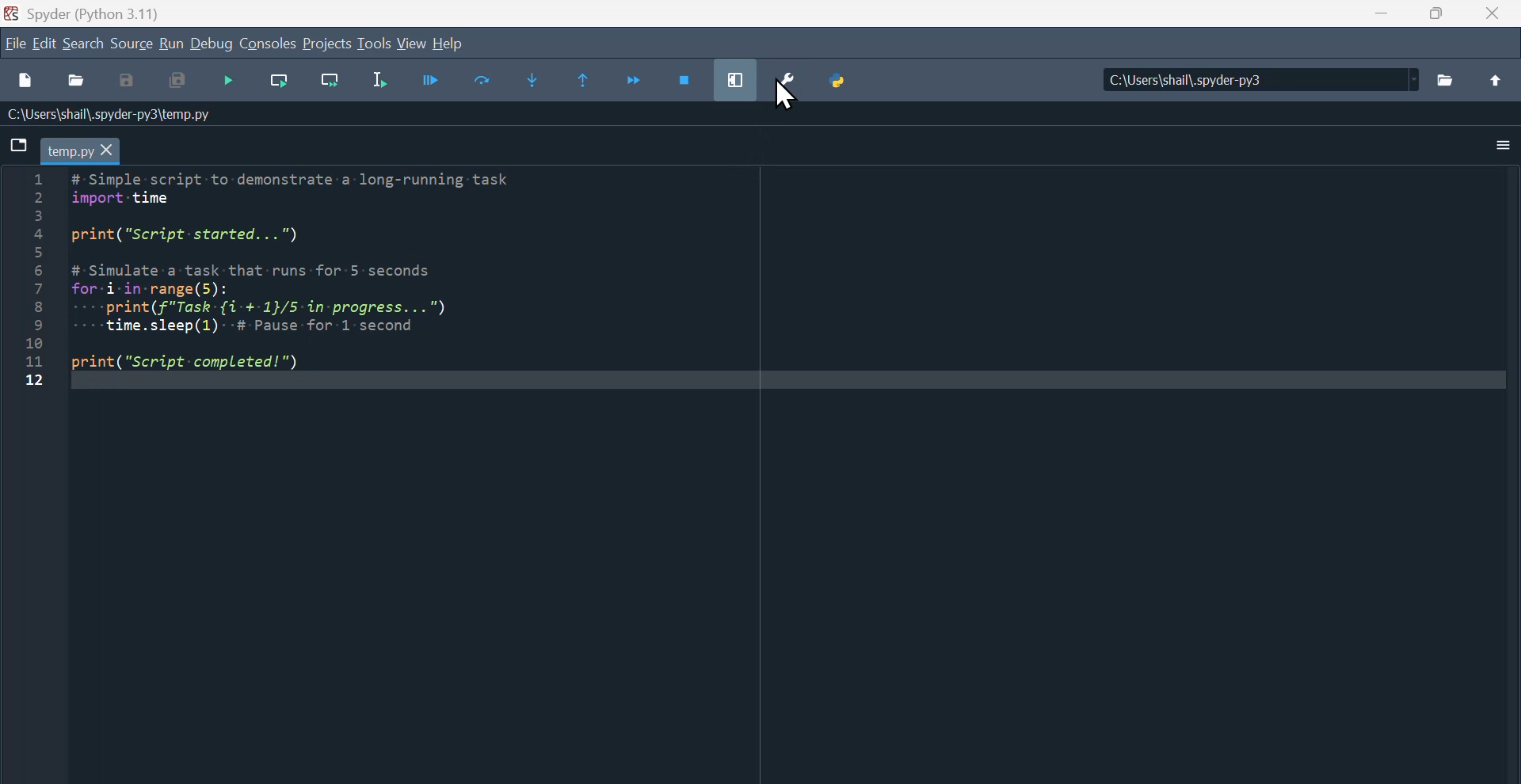  Describe the element at coordinates (432, 83) in the screenshot. I see `Run file` at that location.